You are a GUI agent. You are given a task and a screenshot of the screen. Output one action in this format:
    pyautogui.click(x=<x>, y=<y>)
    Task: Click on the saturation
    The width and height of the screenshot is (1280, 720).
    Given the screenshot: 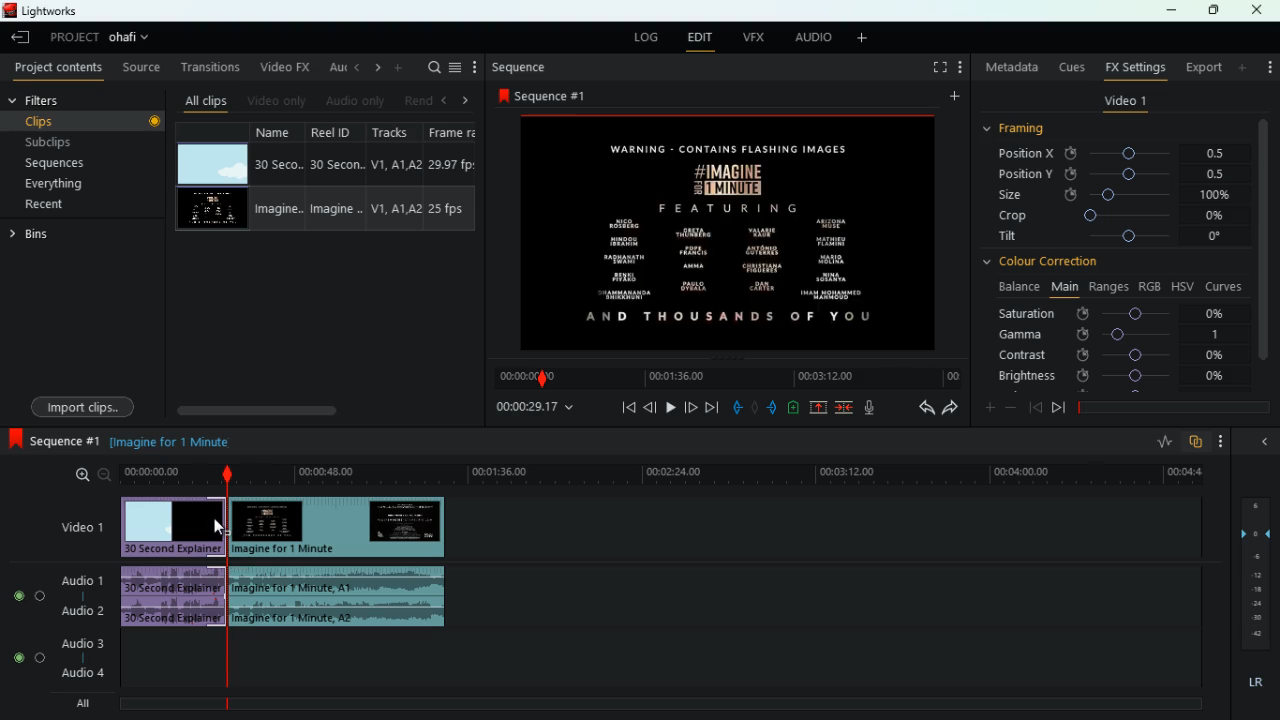 What is the action you would take?
    pyautogui.click(x=1116, y=313)
    